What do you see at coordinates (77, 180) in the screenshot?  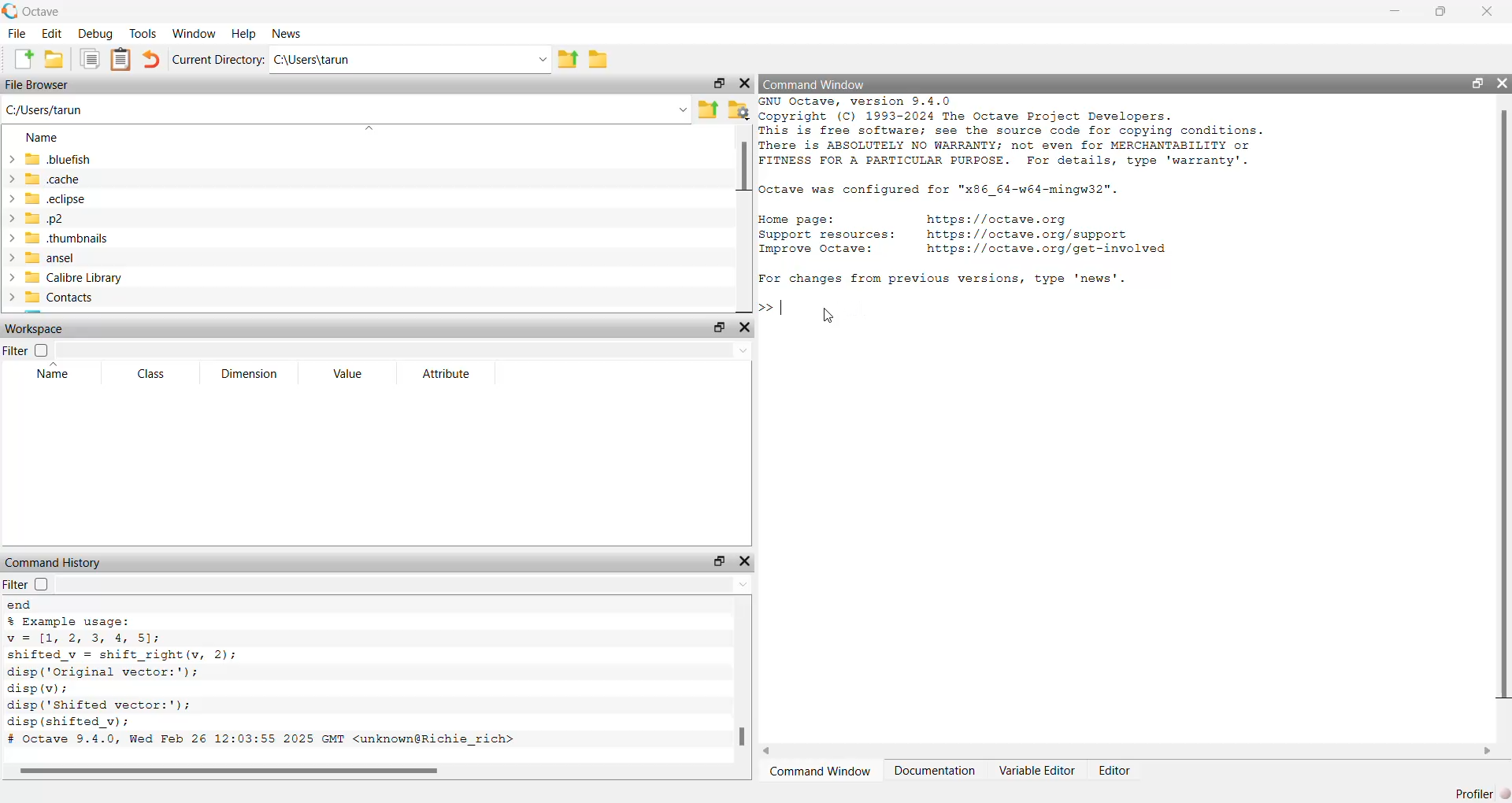 I see `.cache` at bounding box center [77, 180].